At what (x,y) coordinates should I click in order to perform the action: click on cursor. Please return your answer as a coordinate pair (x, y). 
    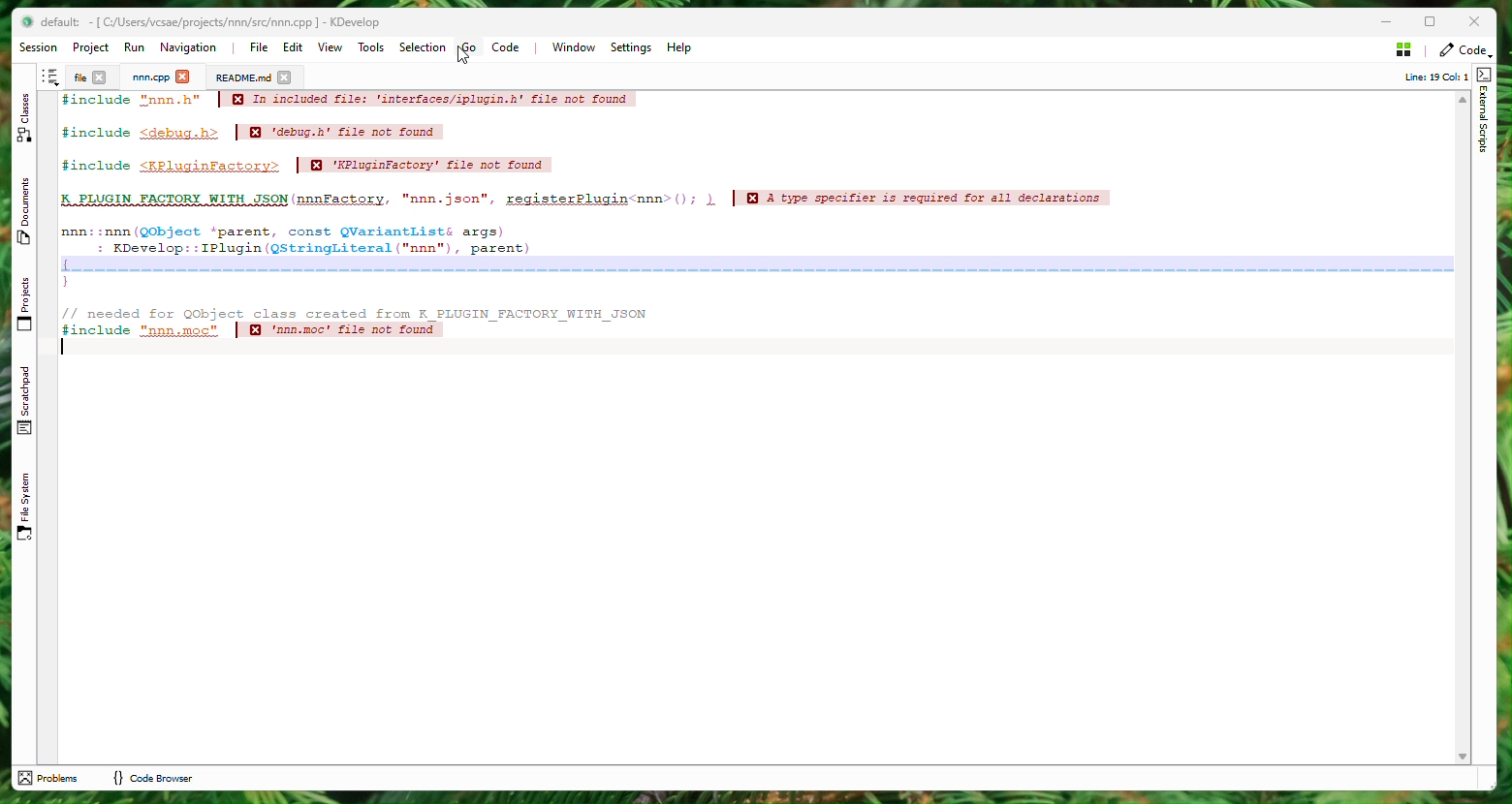
    Looking at the image, I should click on (463, 54).